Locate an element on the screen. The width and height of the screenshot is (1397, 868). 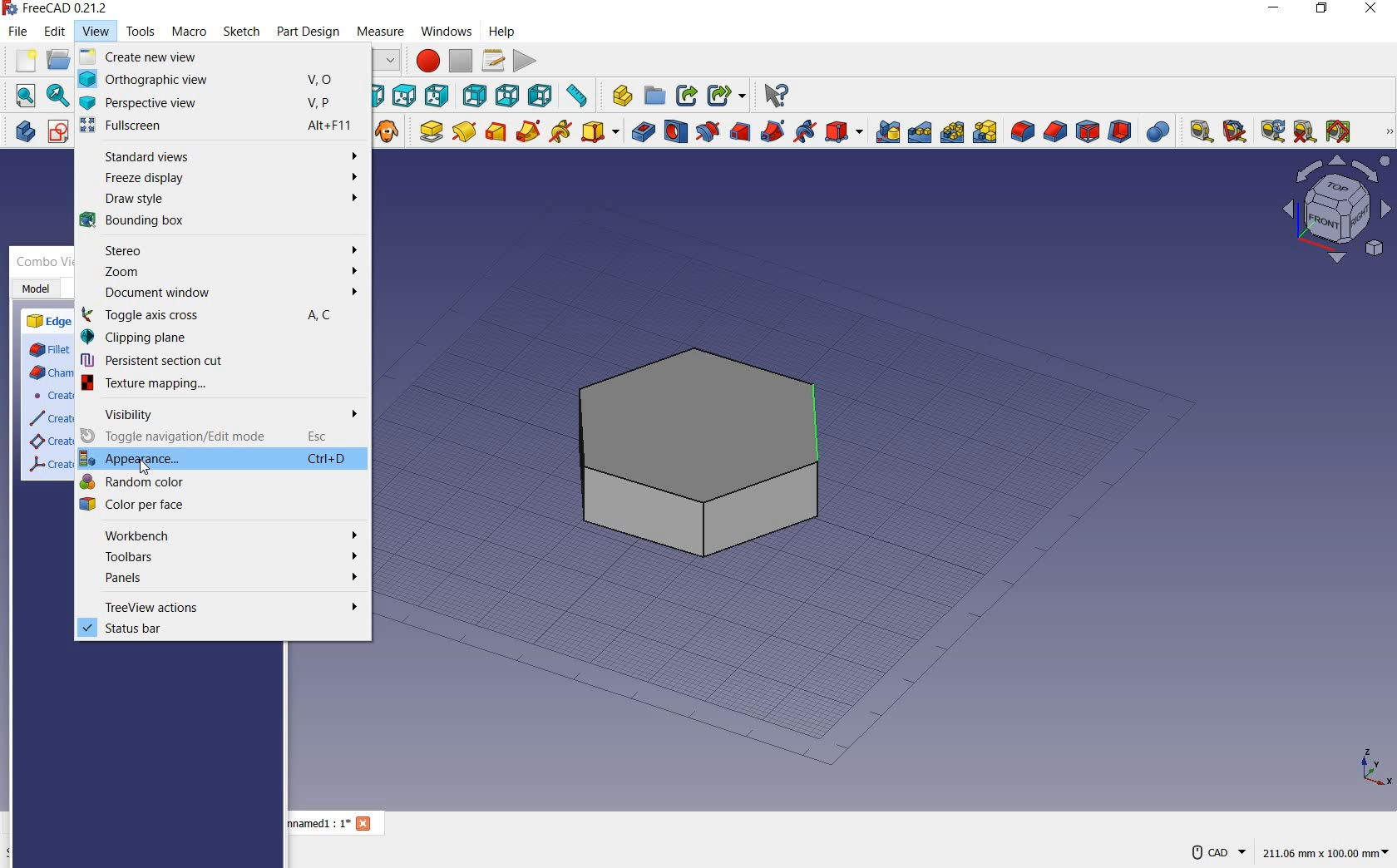
Boolean Operation is located at coordinates (1158, 132).